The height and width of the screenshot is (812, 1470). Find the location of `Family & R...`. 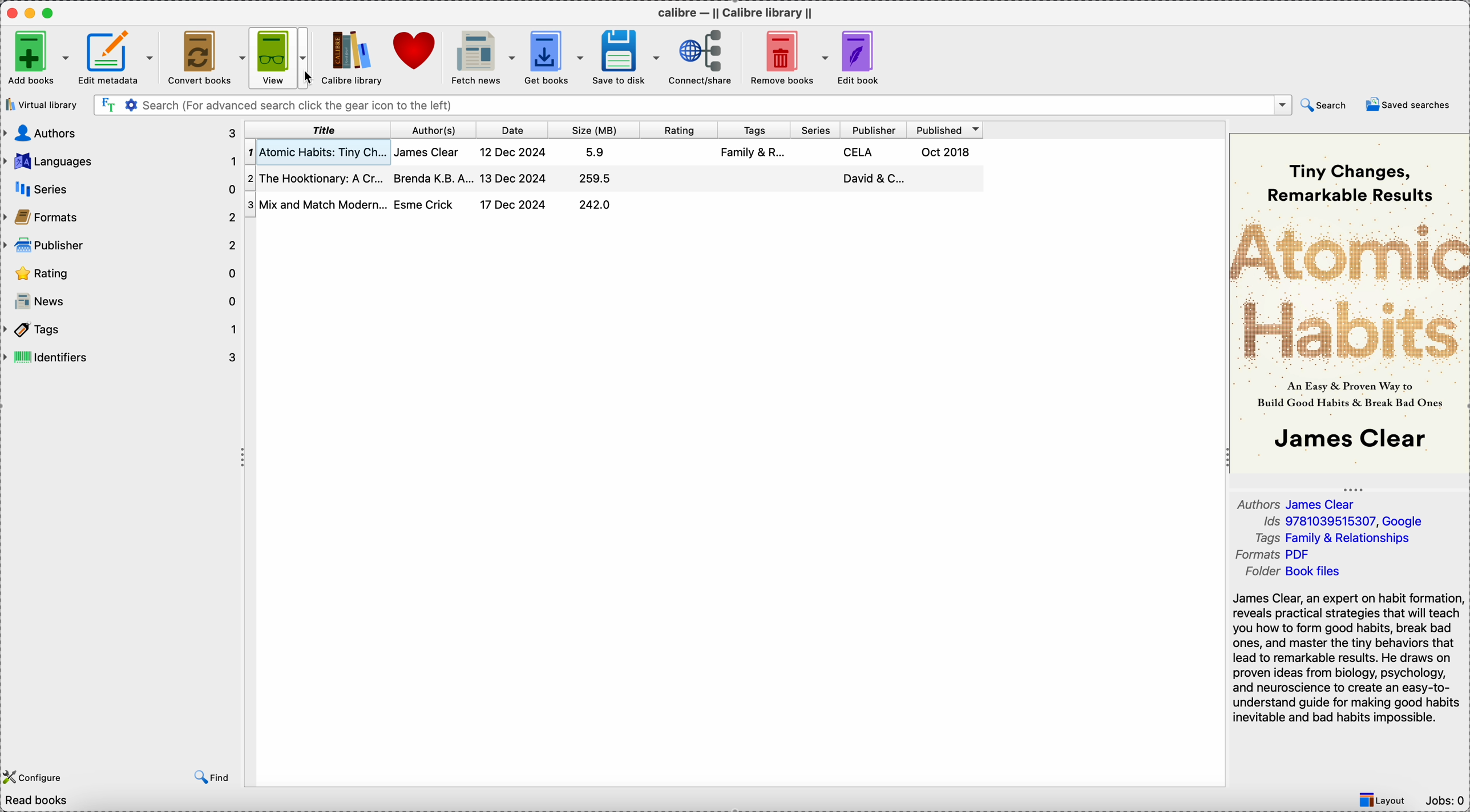

Family & R... is located at coordinates (756, 154).